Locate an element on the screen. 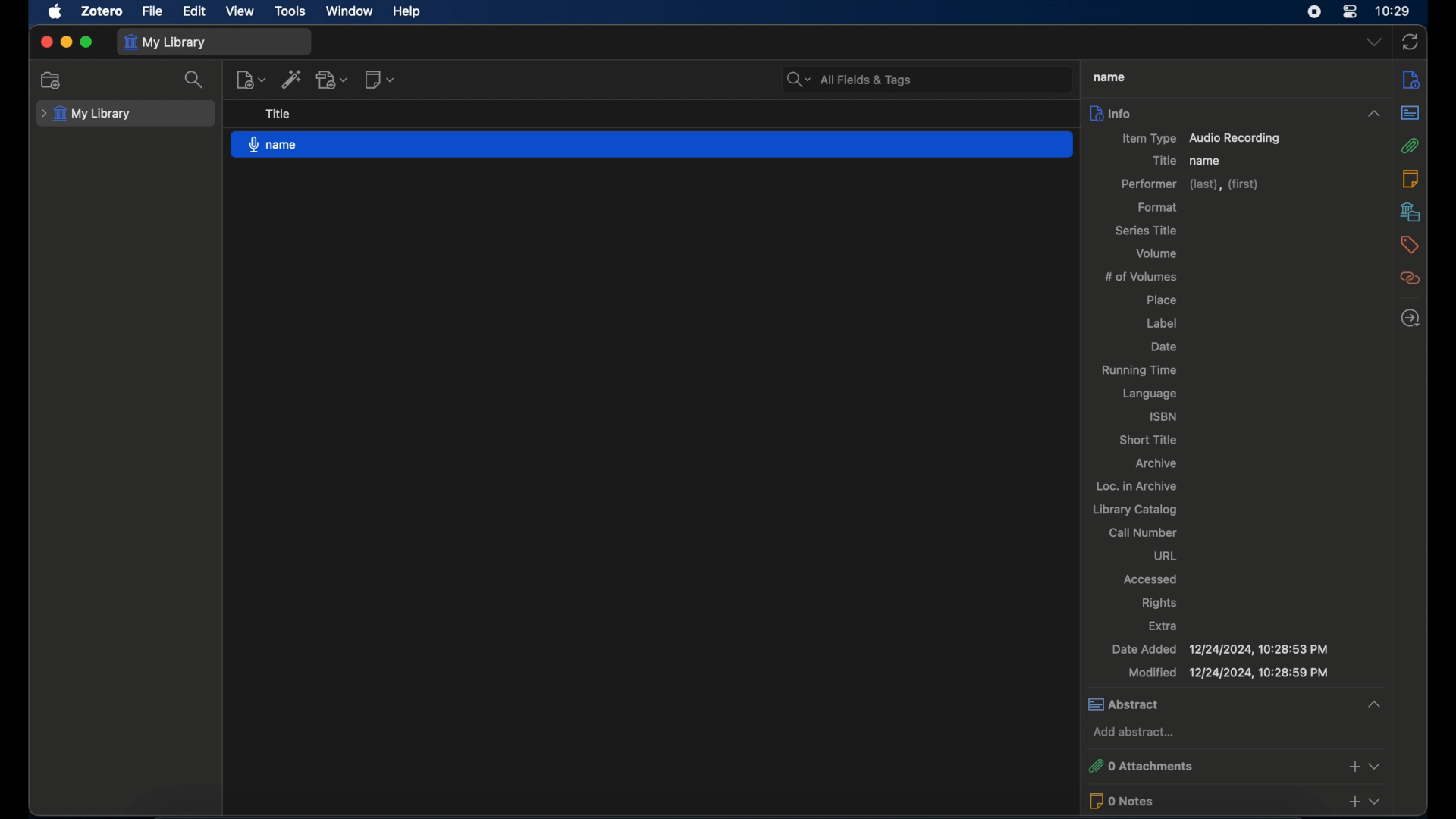 The image size is (1456, 819). all number is located at coordinates (1144, 532).